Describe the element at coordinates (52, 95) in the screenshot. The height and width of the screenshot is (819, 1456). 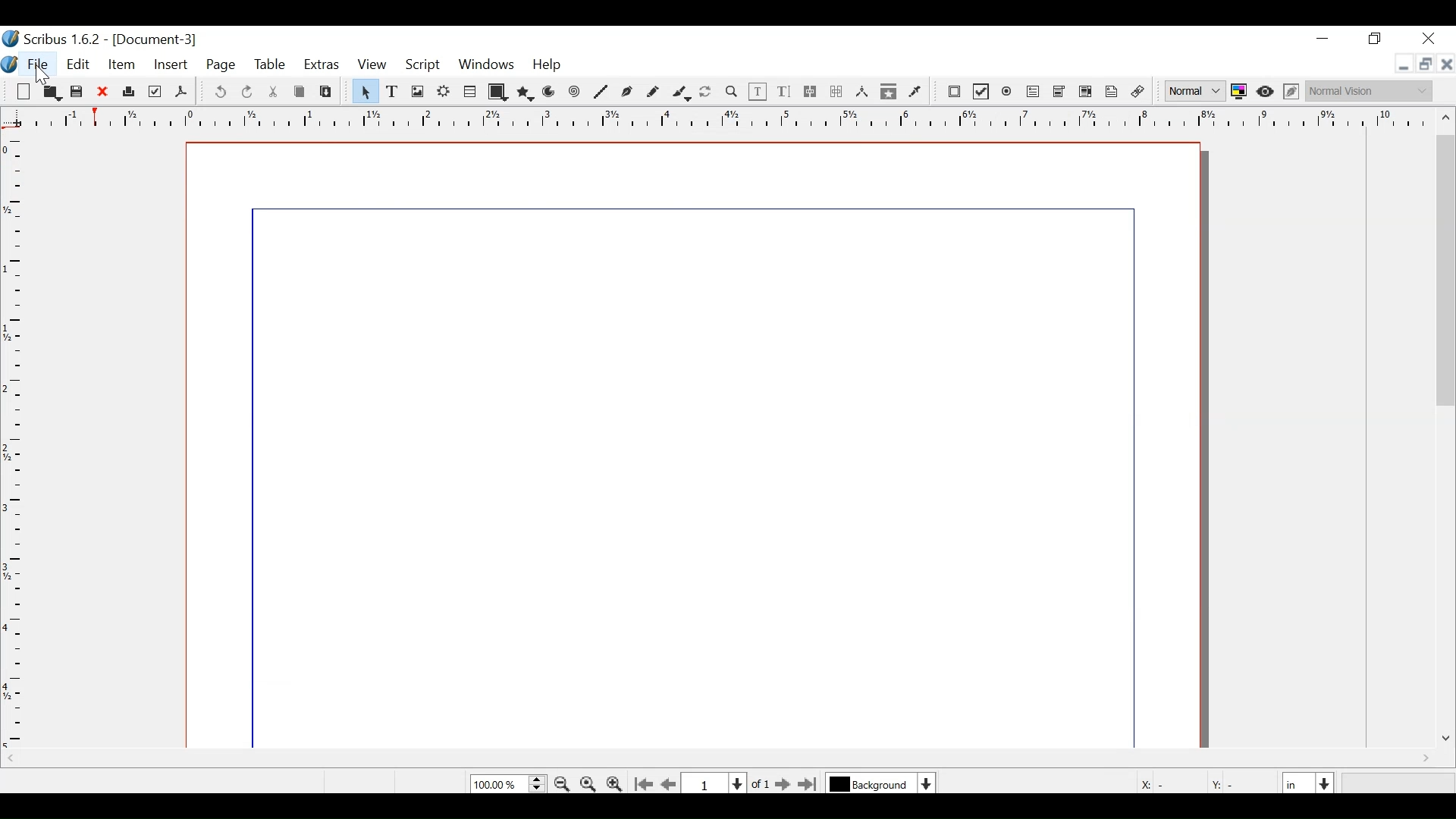
I see `Open` at that location.